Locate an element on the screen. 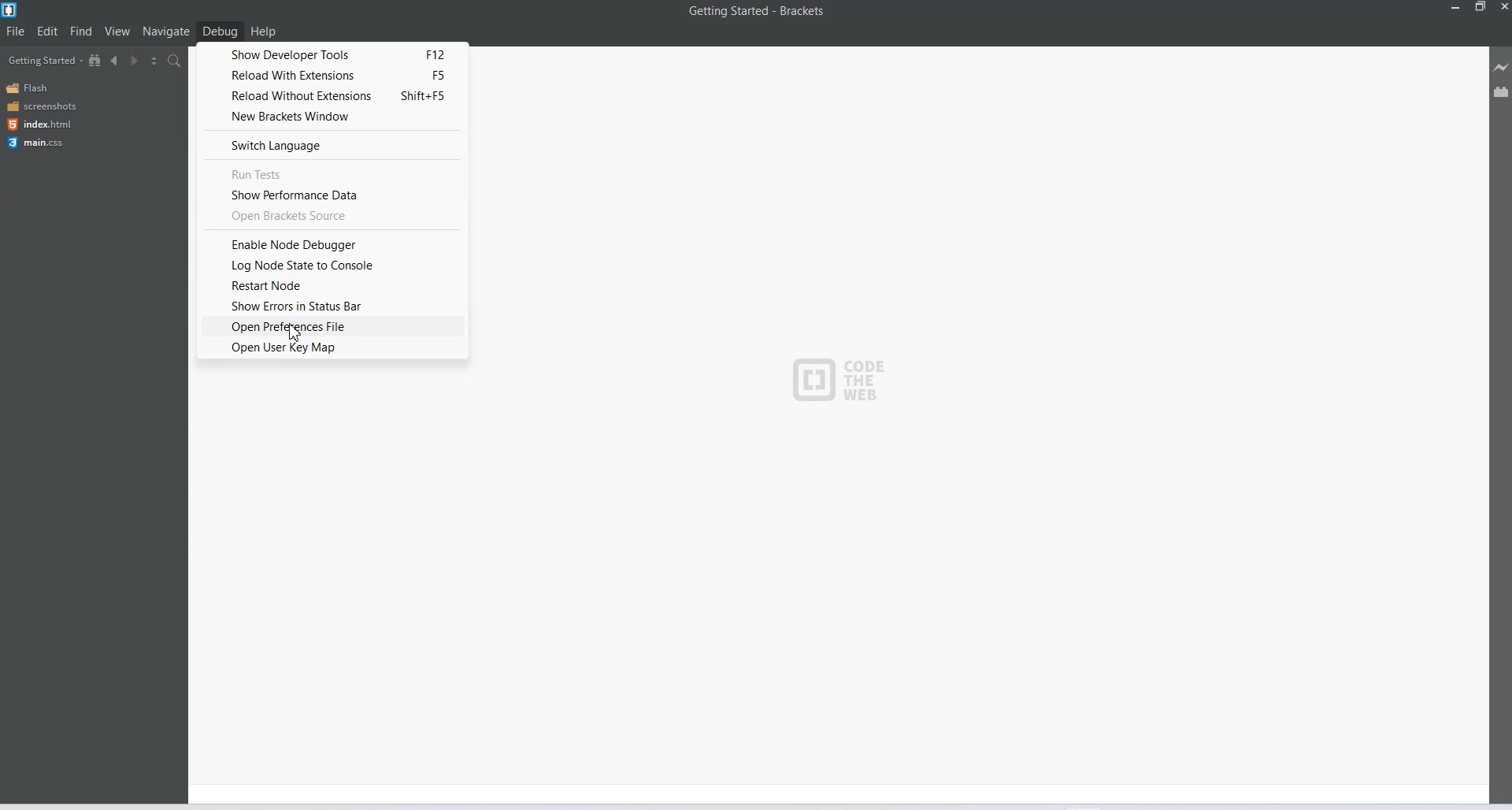 The height and width of the screenshot is (810, 1512). Minimize is located at coordinates (1457, 8).